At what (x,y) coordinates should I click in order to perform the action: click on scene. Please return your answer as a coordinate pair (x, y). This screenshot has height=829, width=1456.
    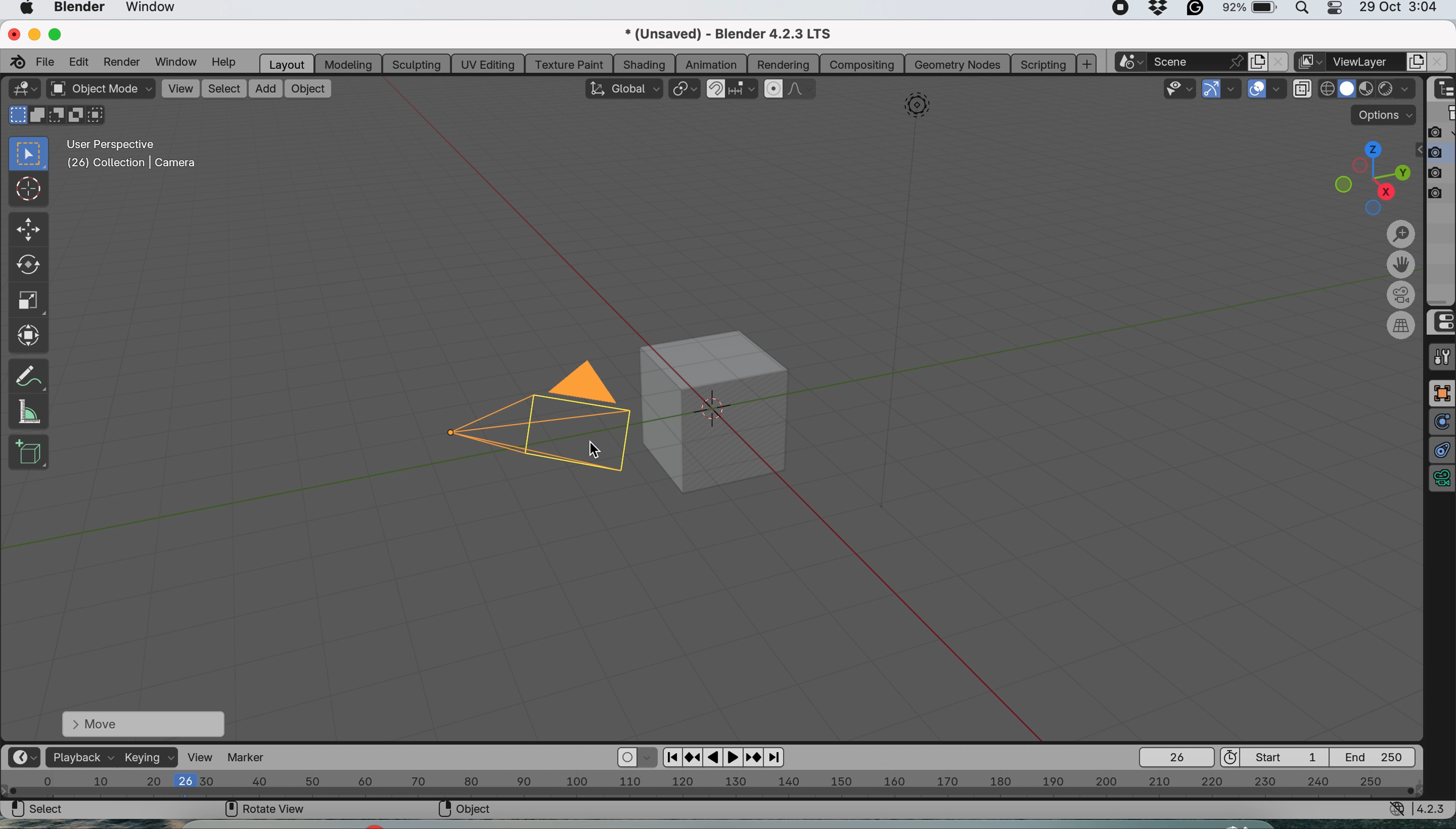
    Looking at the image, I should click on (1200, 61).